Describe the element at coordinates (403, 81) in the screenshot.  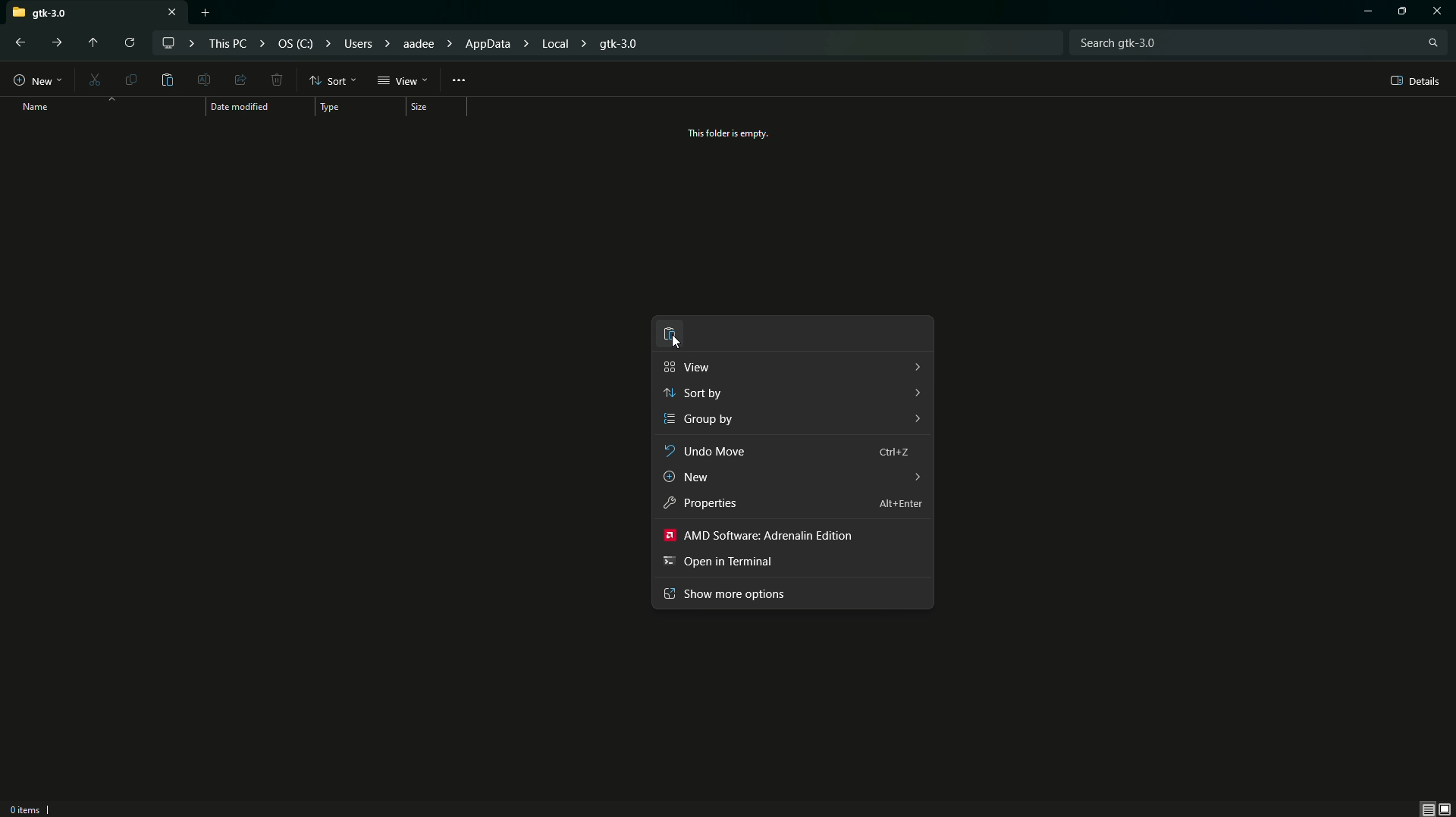
I see `View` at that location.